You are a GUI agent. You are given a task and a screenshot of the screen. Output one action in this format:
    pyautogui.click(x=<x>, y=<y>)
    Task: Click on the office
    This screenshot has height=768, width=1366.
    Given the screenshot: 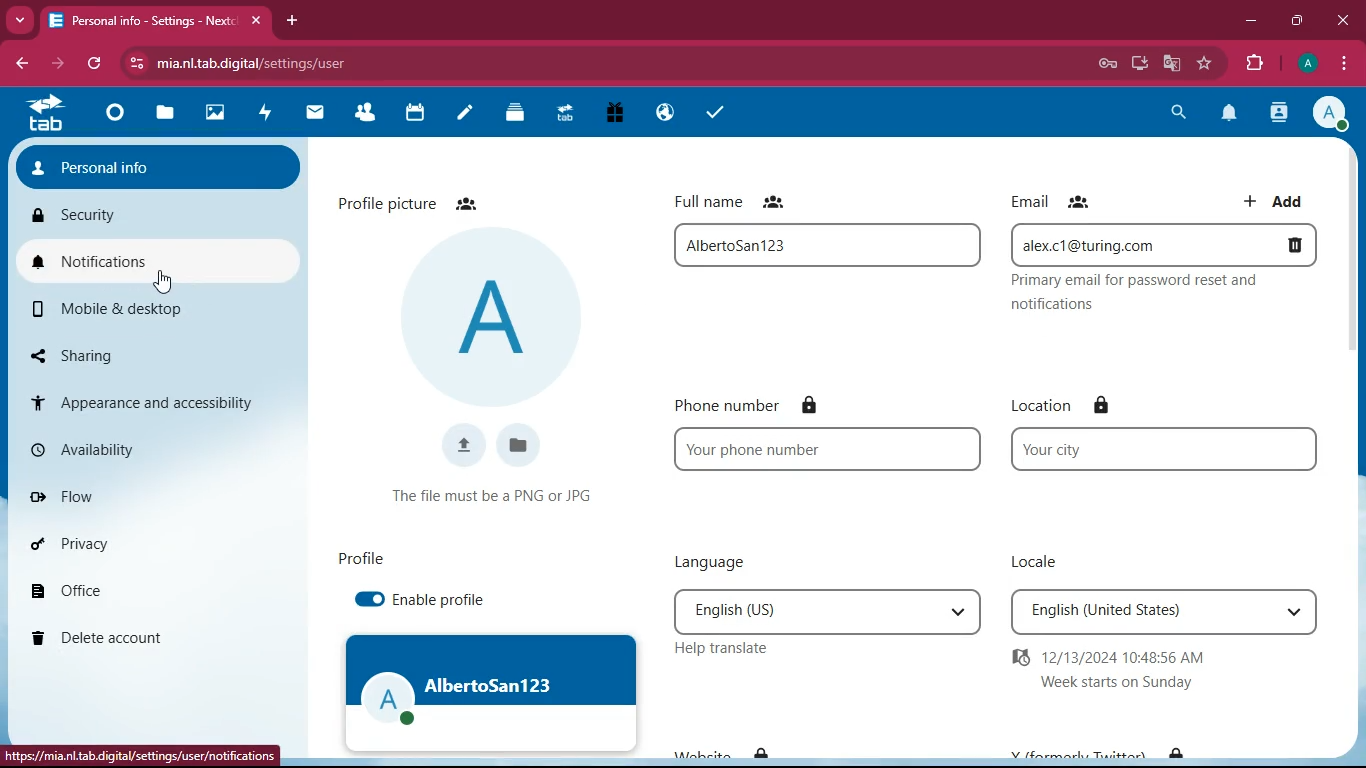 What is the action you would take?
    pyautogui.click(x=157, y=588)
    